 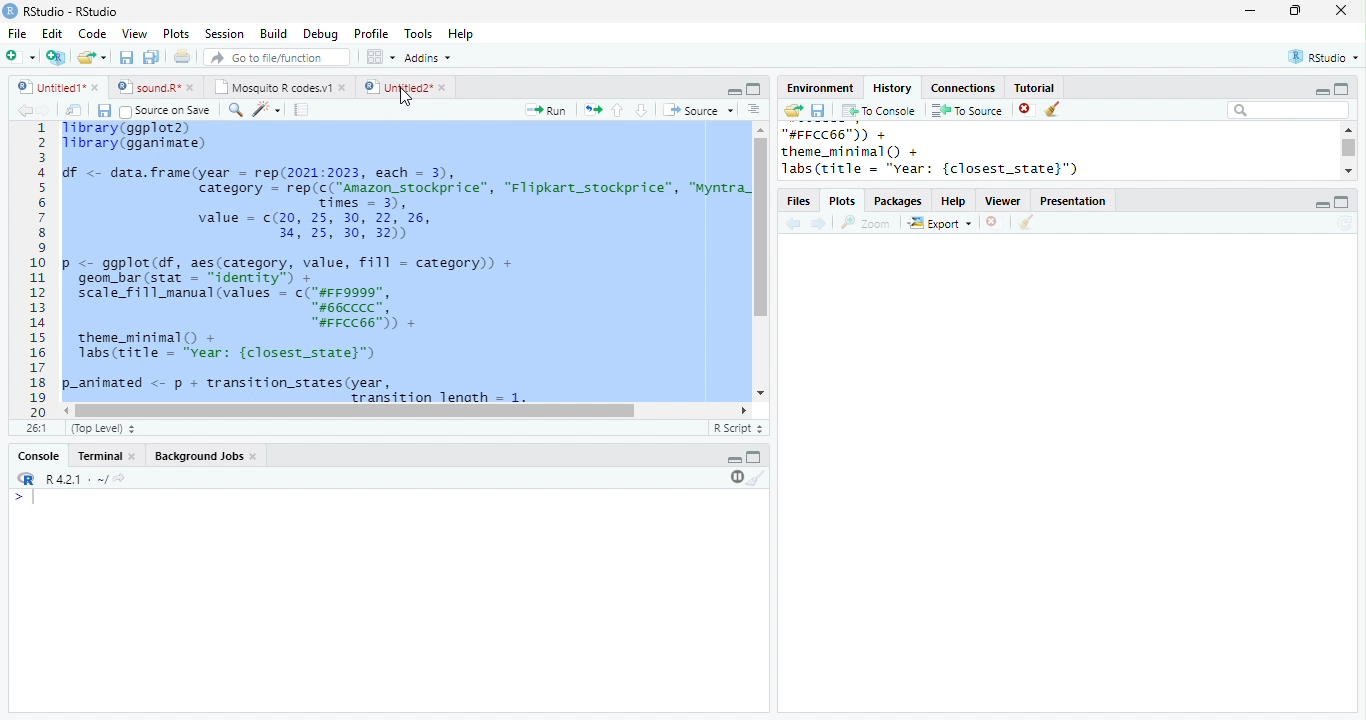 What do you see at coordinates (37, 271) in the screenshot?
I see `line numbering` at bounding box center [37, 271].